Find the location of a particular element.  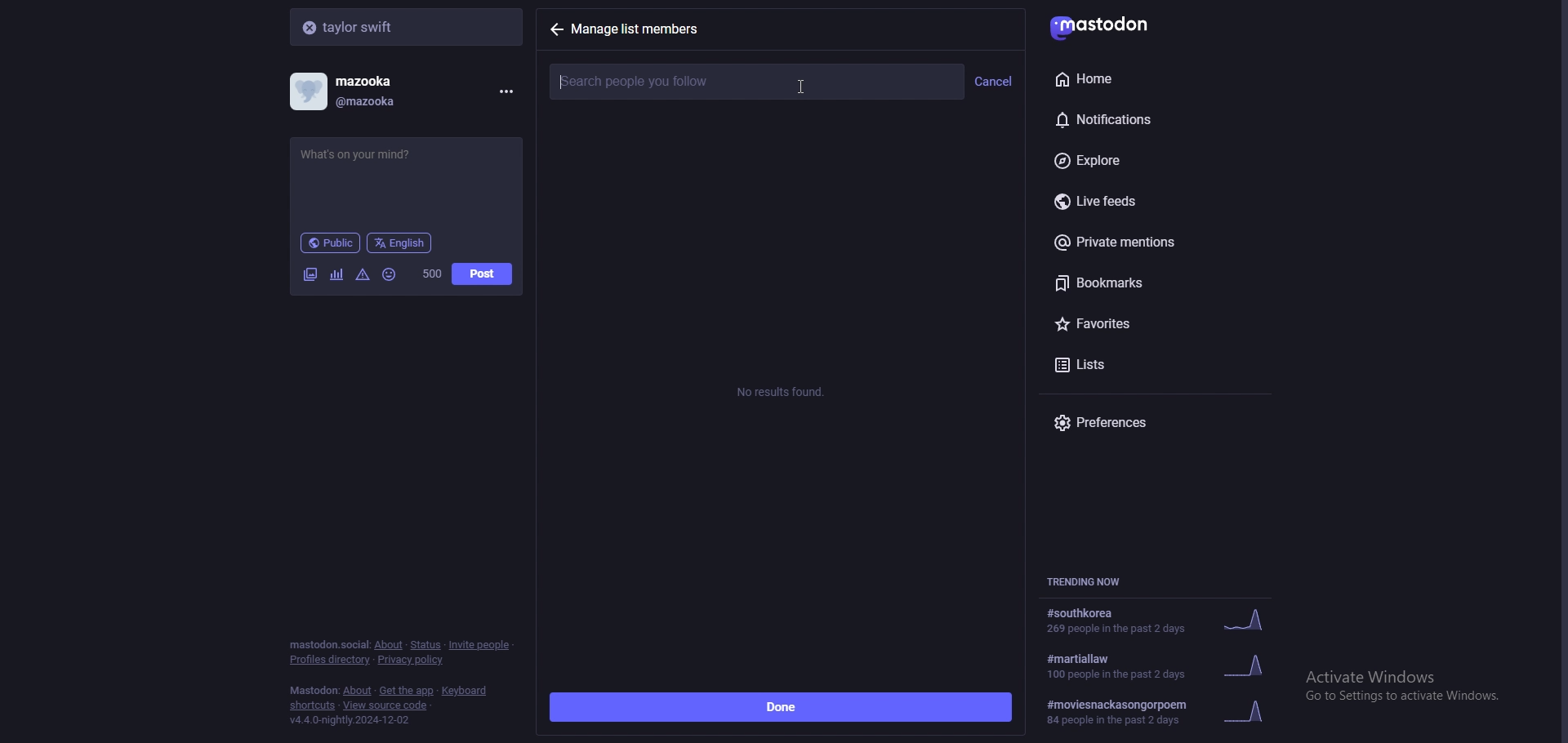

mastodon is located at coordinates (314, 691).